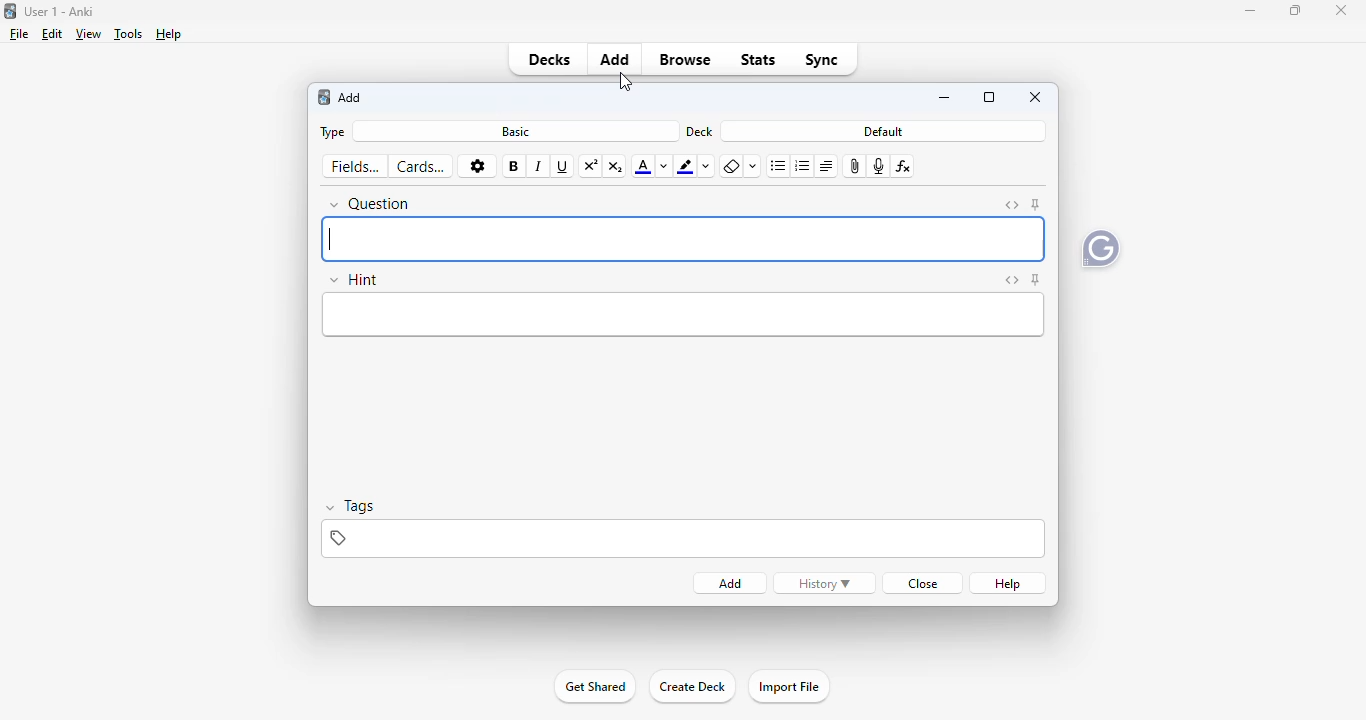  What do you see at coordinates (513, 167) in the screenshot?
I see `bold` at bounding box center [513, 167].